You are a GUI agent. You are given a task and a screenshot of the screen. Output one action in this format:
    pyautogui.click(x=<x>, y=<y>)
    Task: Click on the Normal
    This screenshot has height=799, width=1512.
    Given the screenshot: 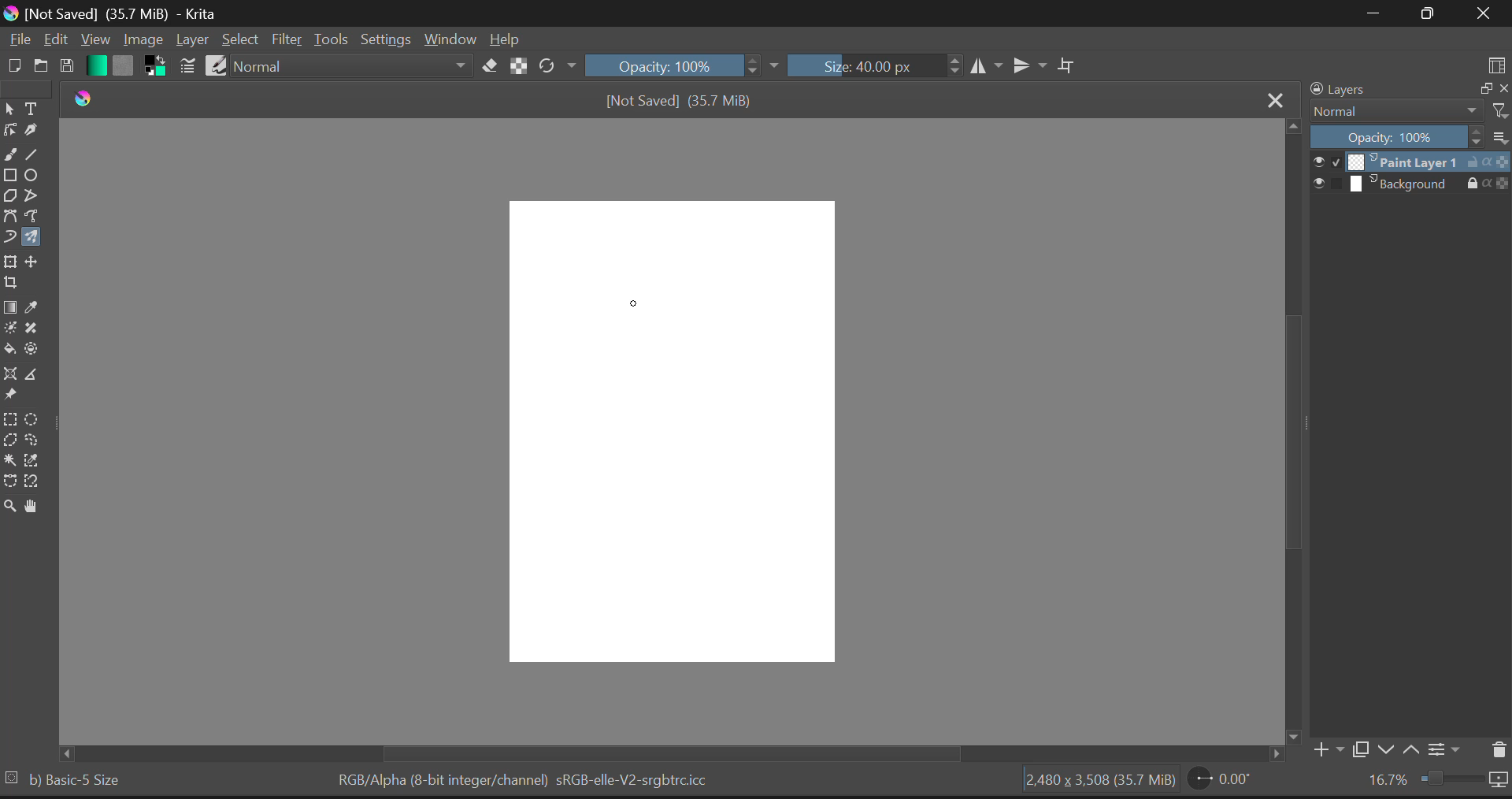 What is the action you would take?
    pyautogui.click(x=354, y=65)
    